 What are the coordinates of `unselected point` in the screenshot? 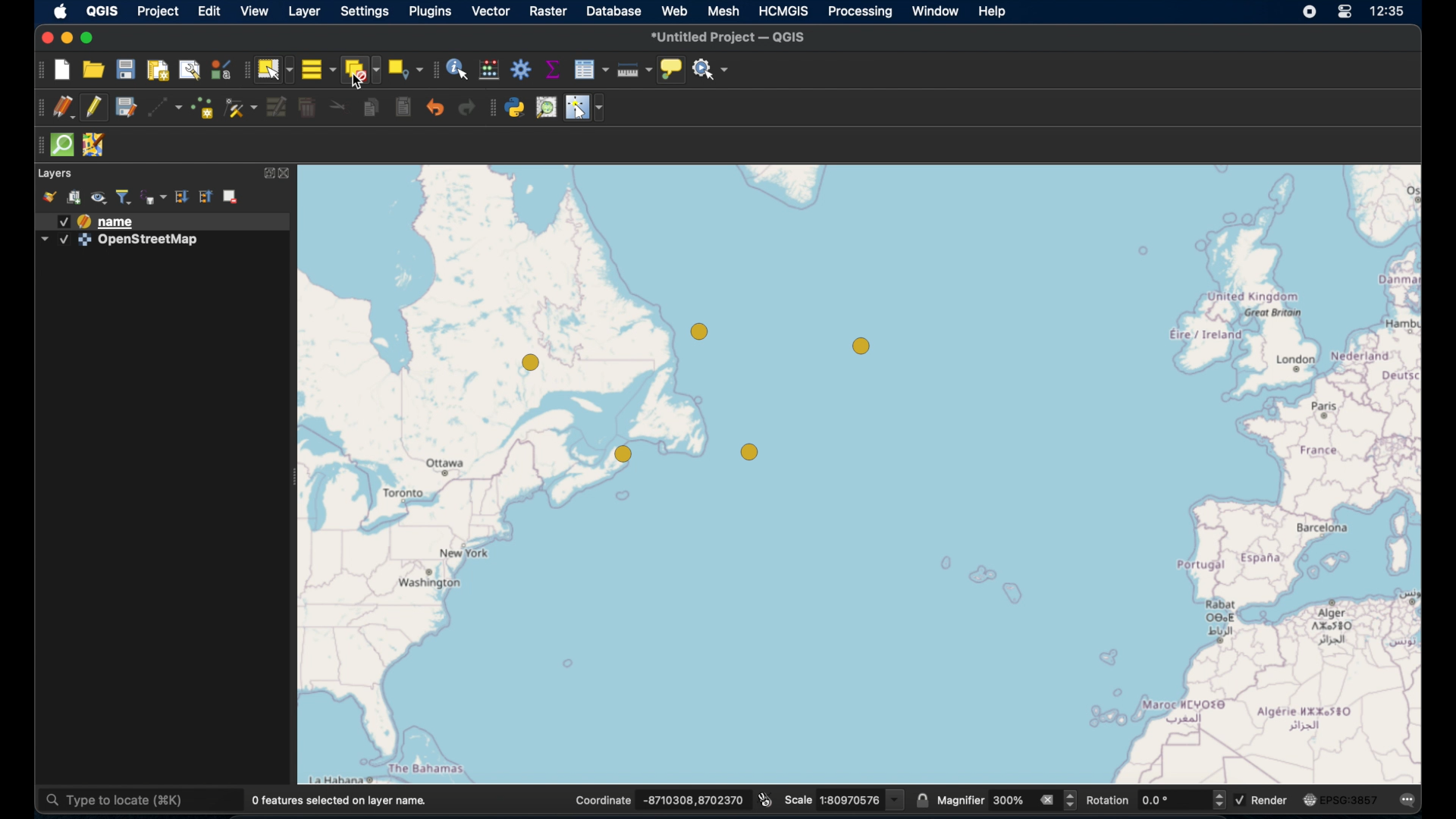 It's located at (623, 456).